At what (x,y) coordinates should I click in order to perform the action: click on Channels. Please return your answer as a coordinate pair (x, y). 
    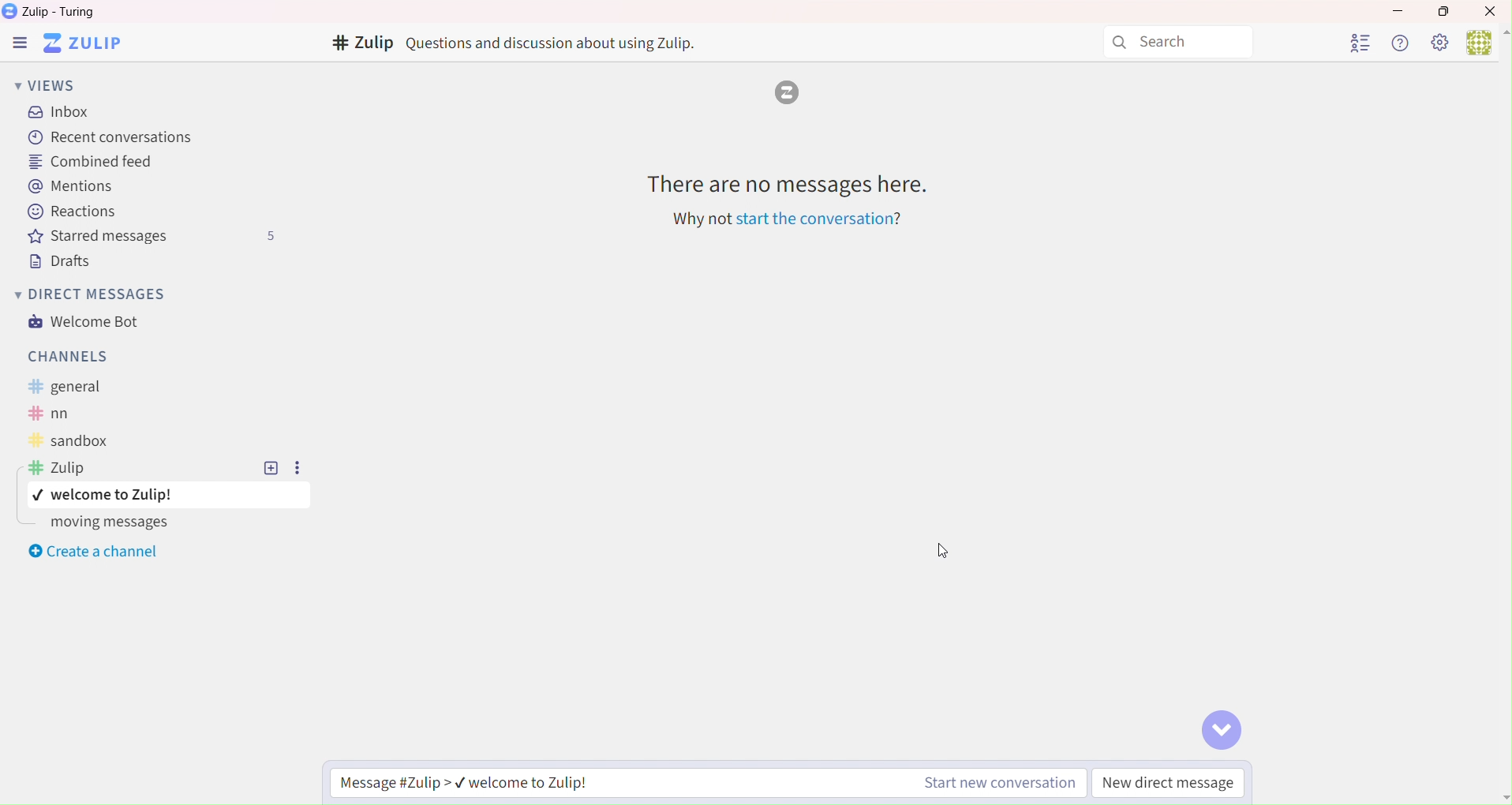
    Looking at the image, I should click on (62, 357).